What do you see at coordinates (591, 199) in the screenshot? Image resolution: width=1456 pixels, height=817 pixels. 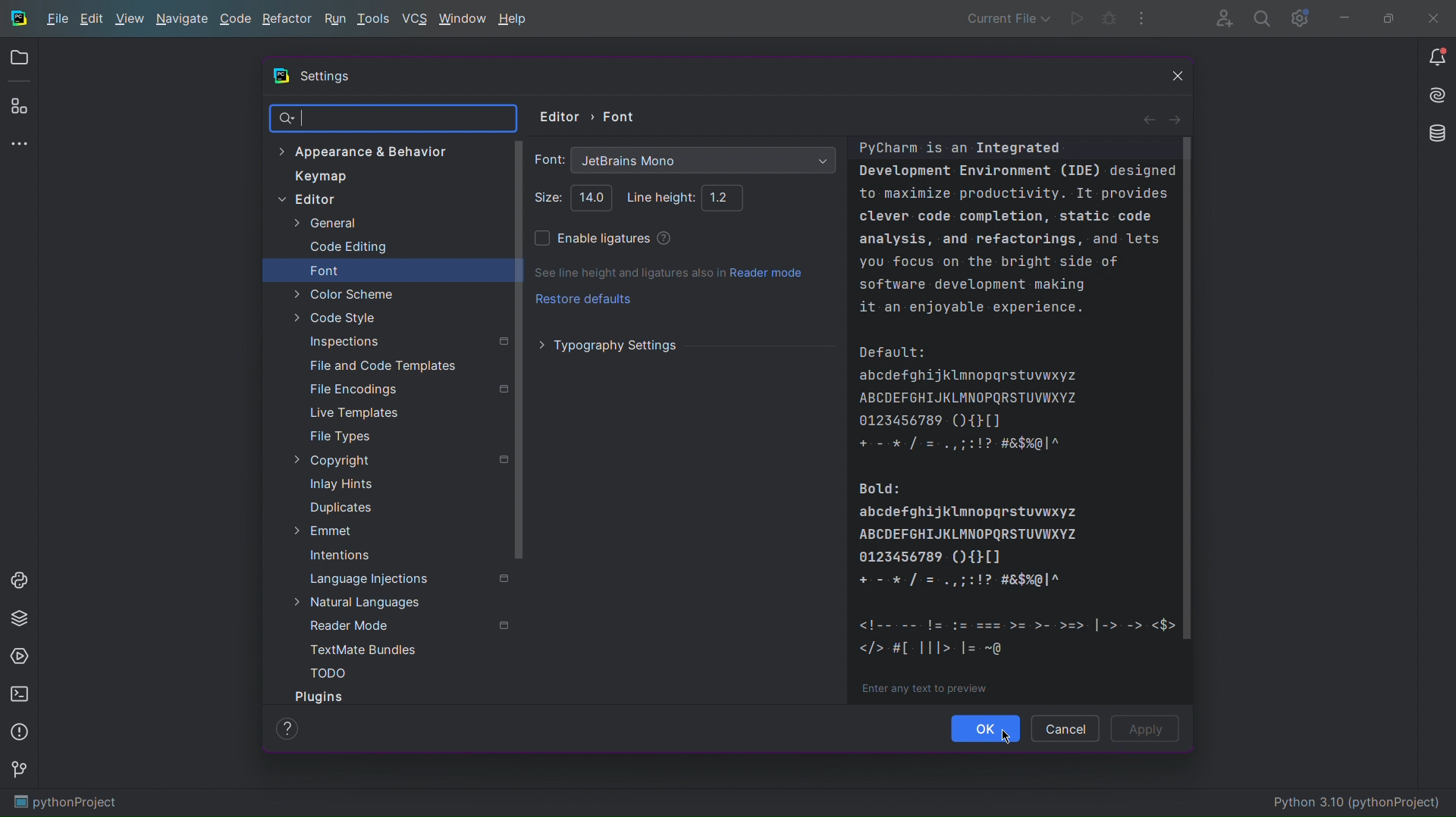 I see `Selected` at bounding box center [591, 199].